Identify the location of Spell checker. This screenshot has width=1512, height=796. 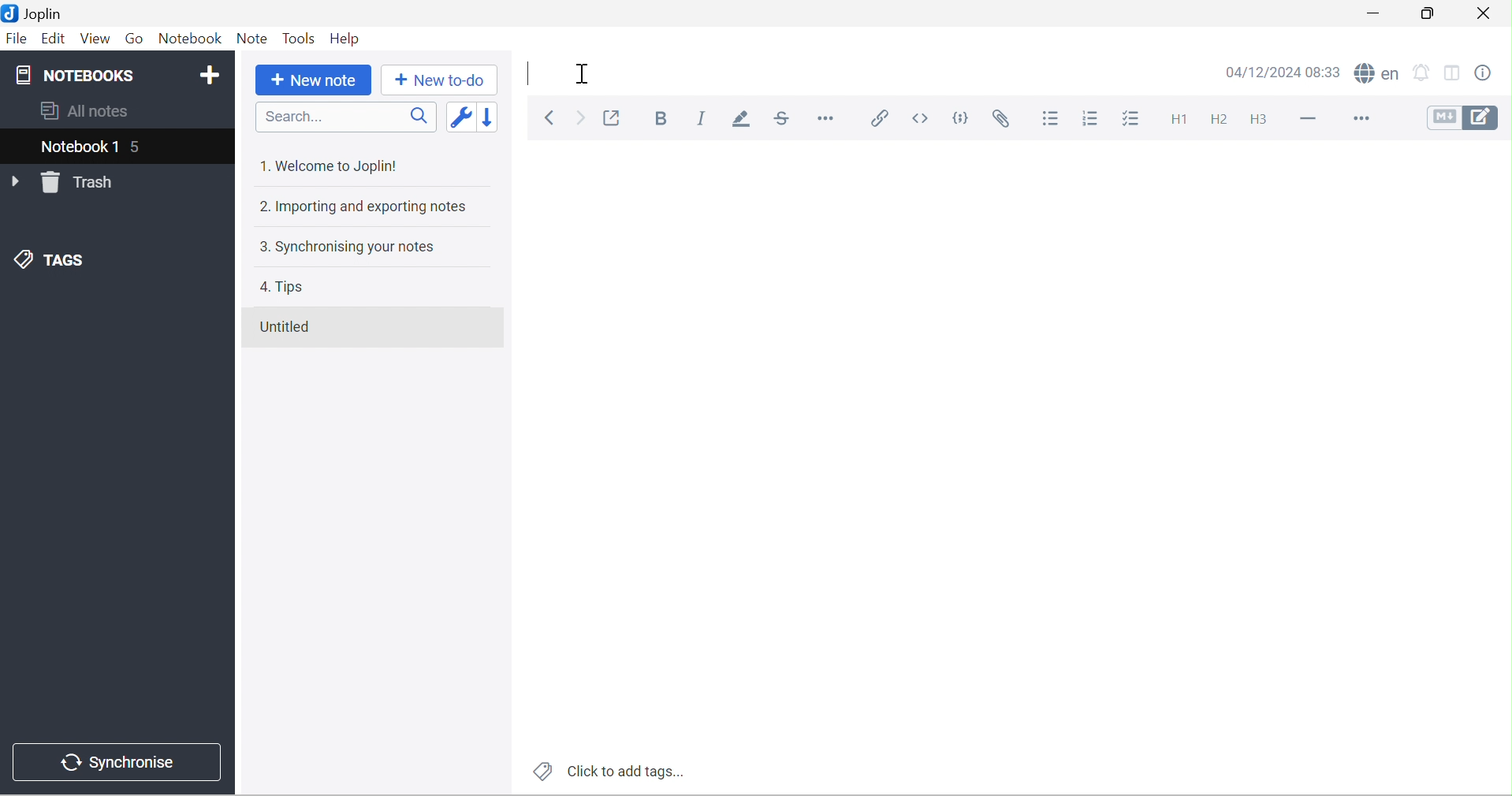
(1375, 73).